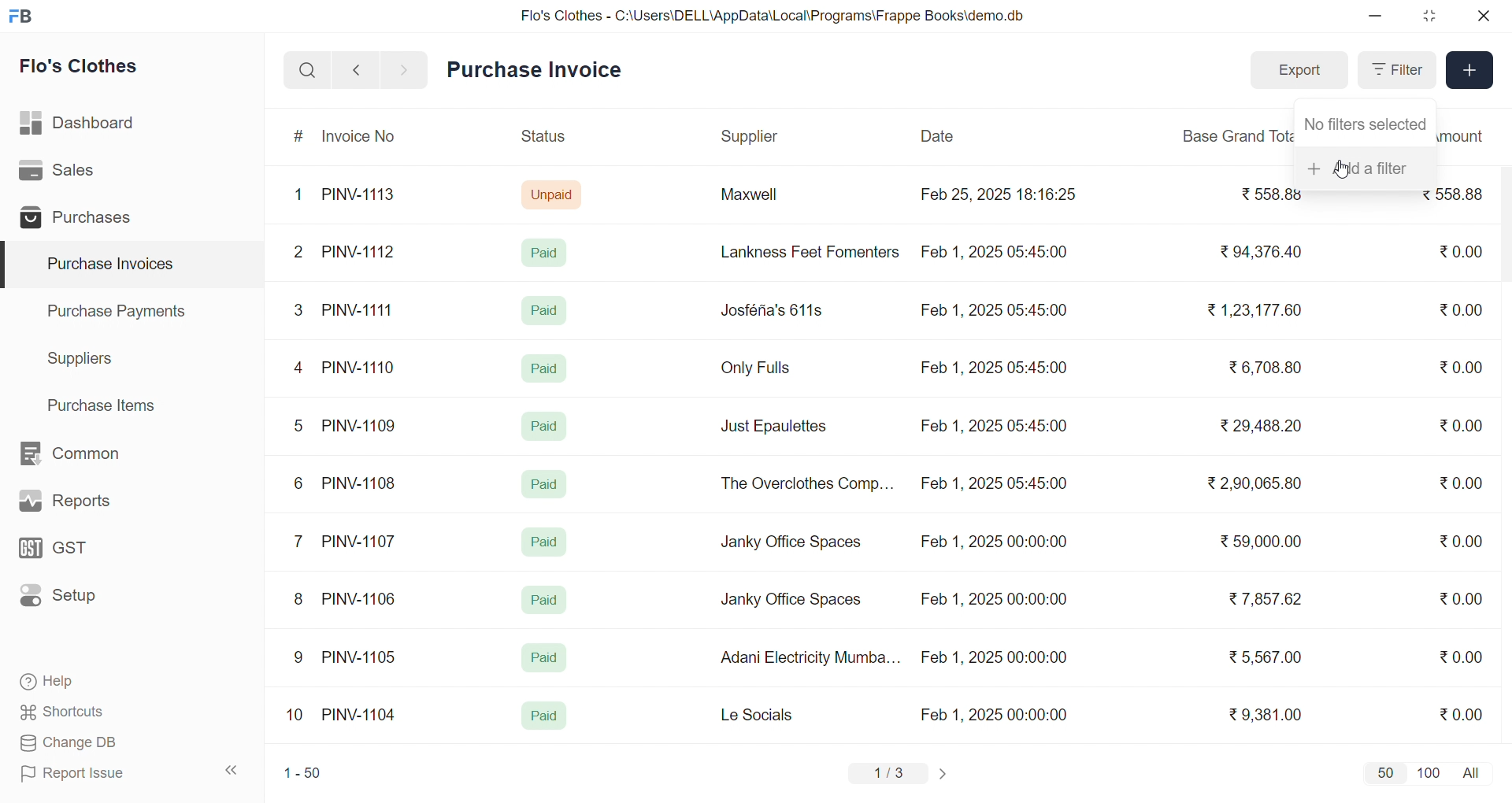 This screenshot has height=803, width=1512. Describe the element at coordinates (554, 194) in the screenshot. I see `Unpaid` at that location.